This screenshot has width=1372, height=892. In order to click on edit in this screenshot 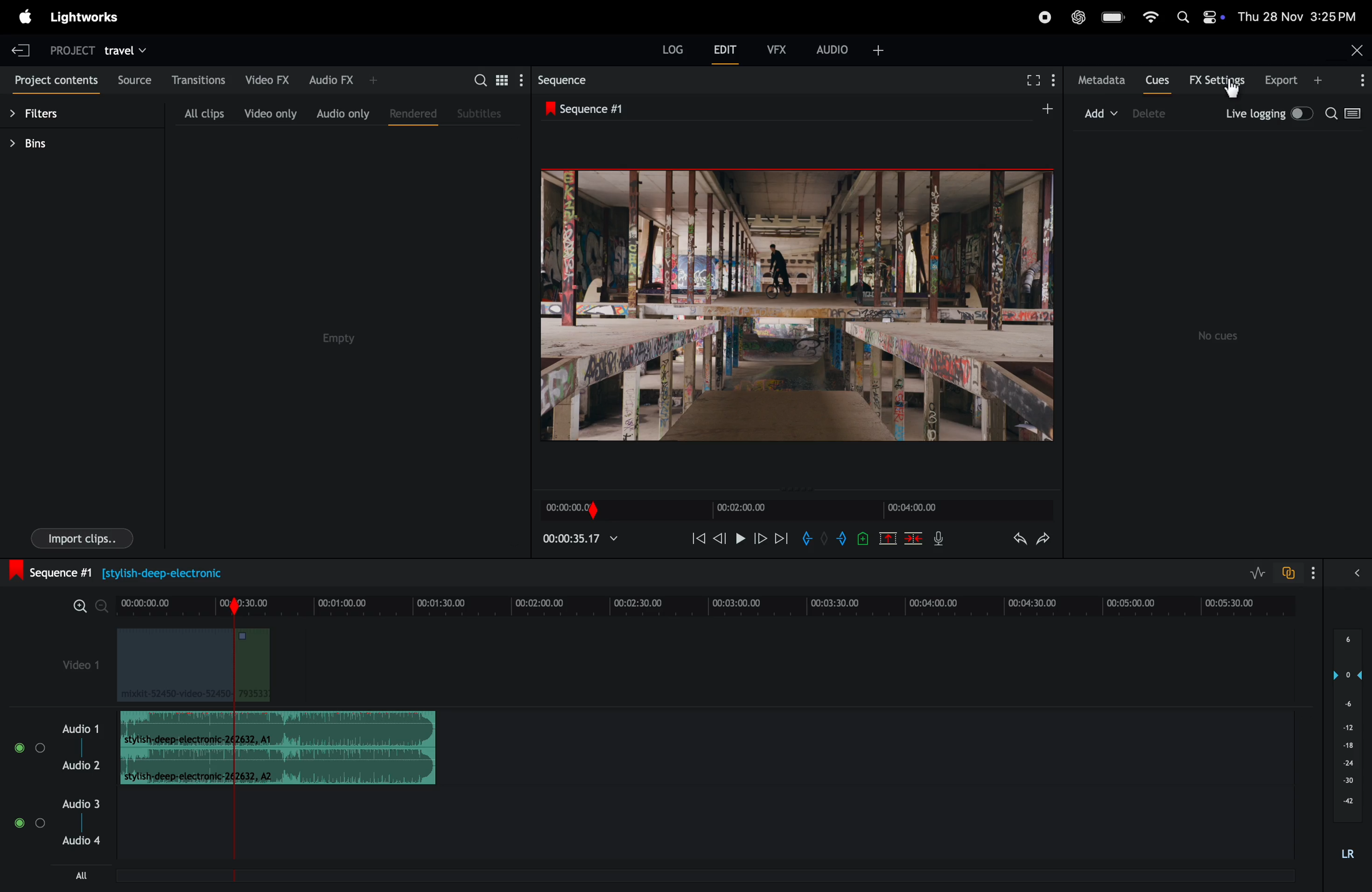, I will do `click(722, 50)`.